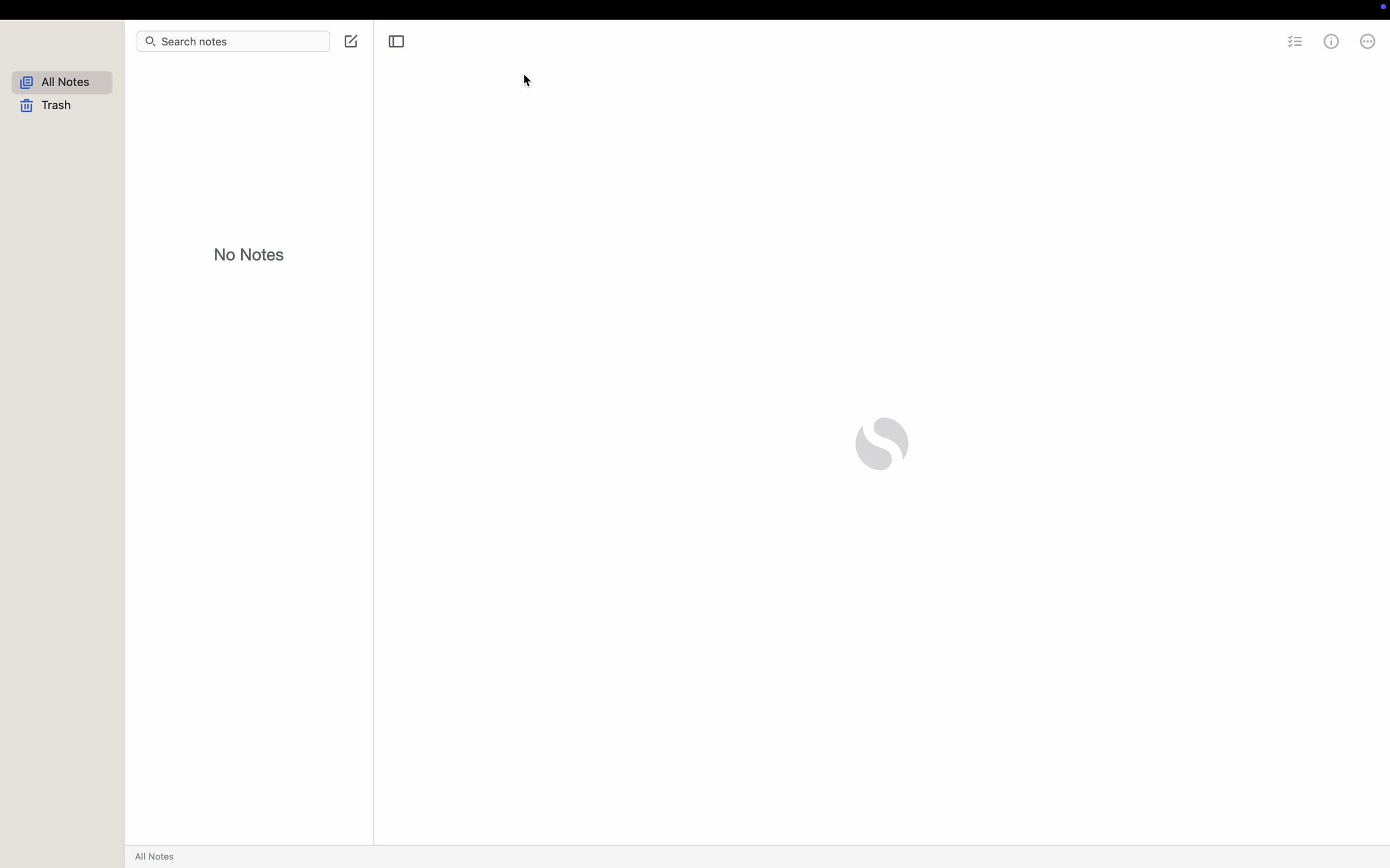  Describe the element at coordinates (530, 82) in the screenshot. I see `cursor` at that location.